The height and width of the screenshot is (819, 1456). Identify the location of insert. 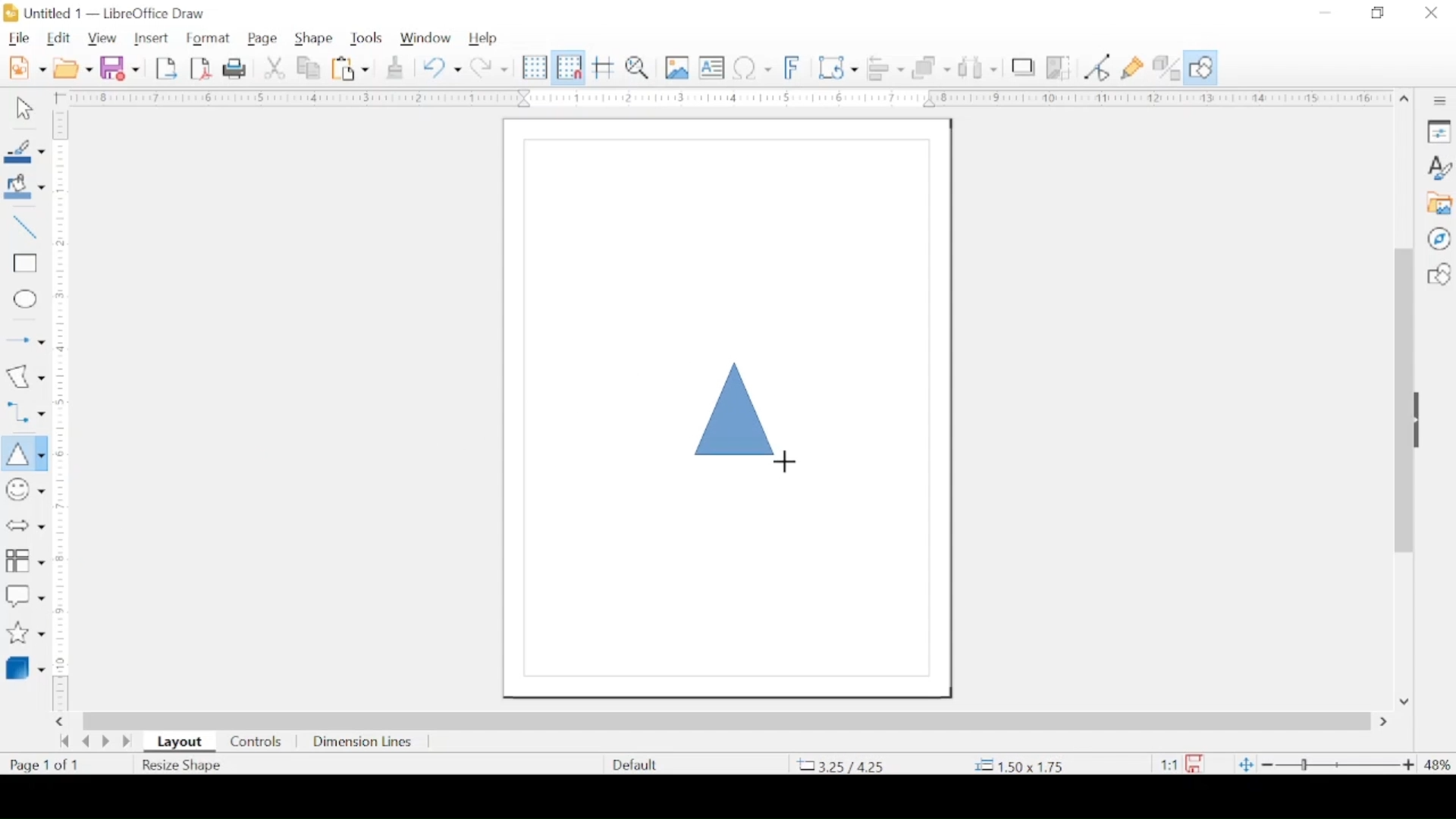
(153, 39).